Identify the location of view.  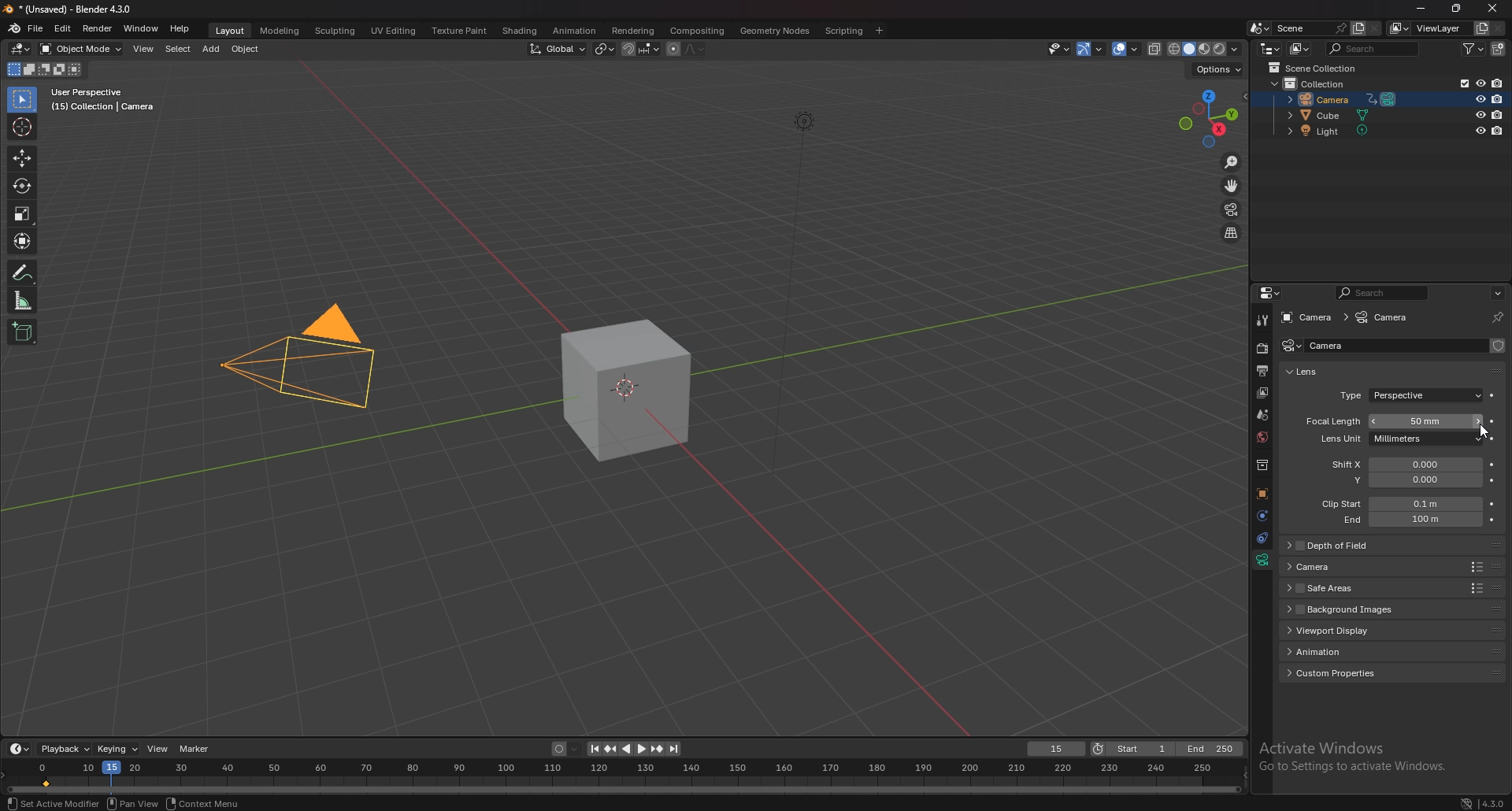
(157, 749).